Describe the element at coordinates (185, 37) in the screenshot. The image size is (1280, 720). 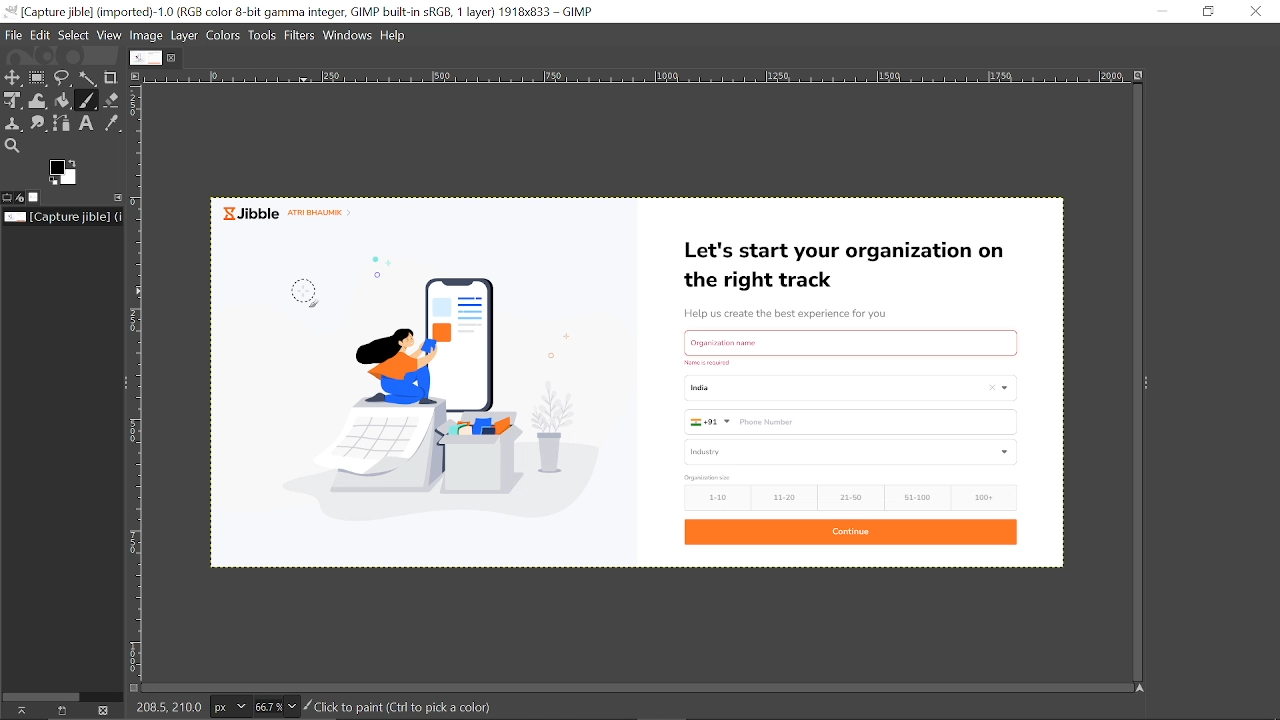
I see `Layer` at that location.